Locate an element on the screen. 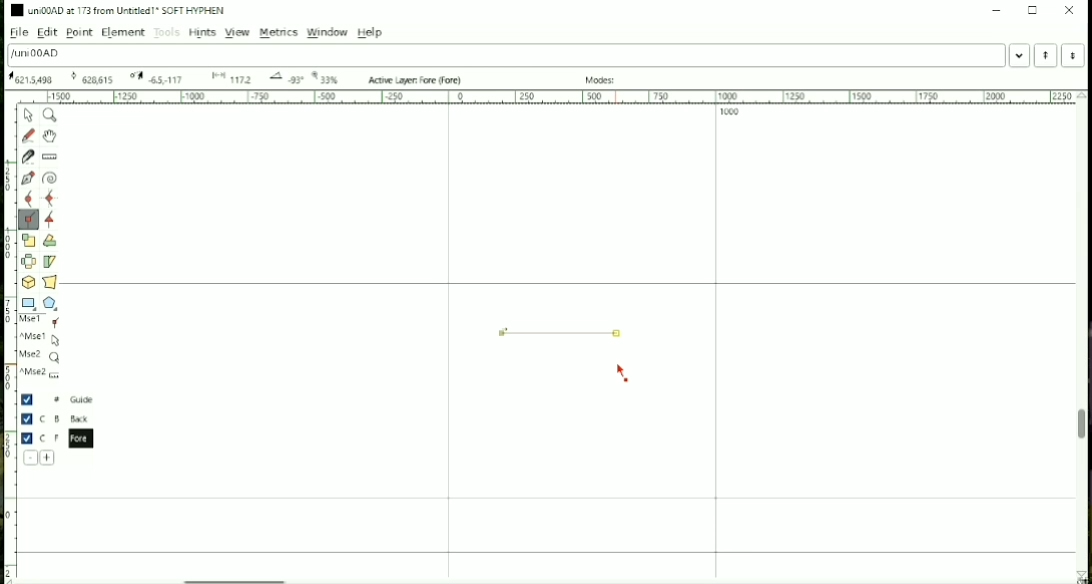  Fore is located at coordinates (63, 438).